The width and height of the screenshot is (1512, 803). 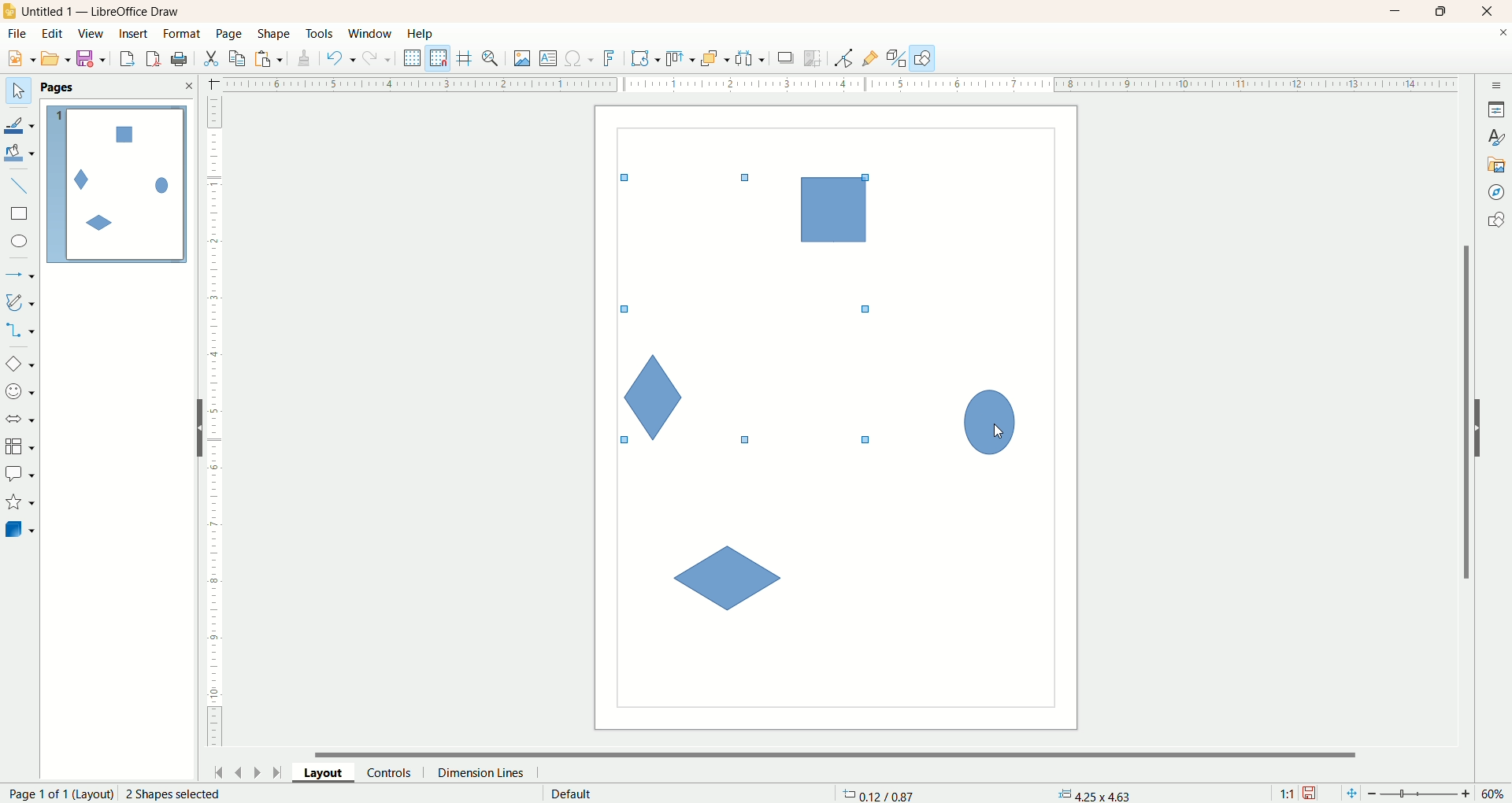 What do you see at coordinates (550, 60) in the screenshot?
I see `text box` at bounding box center [550, 60].